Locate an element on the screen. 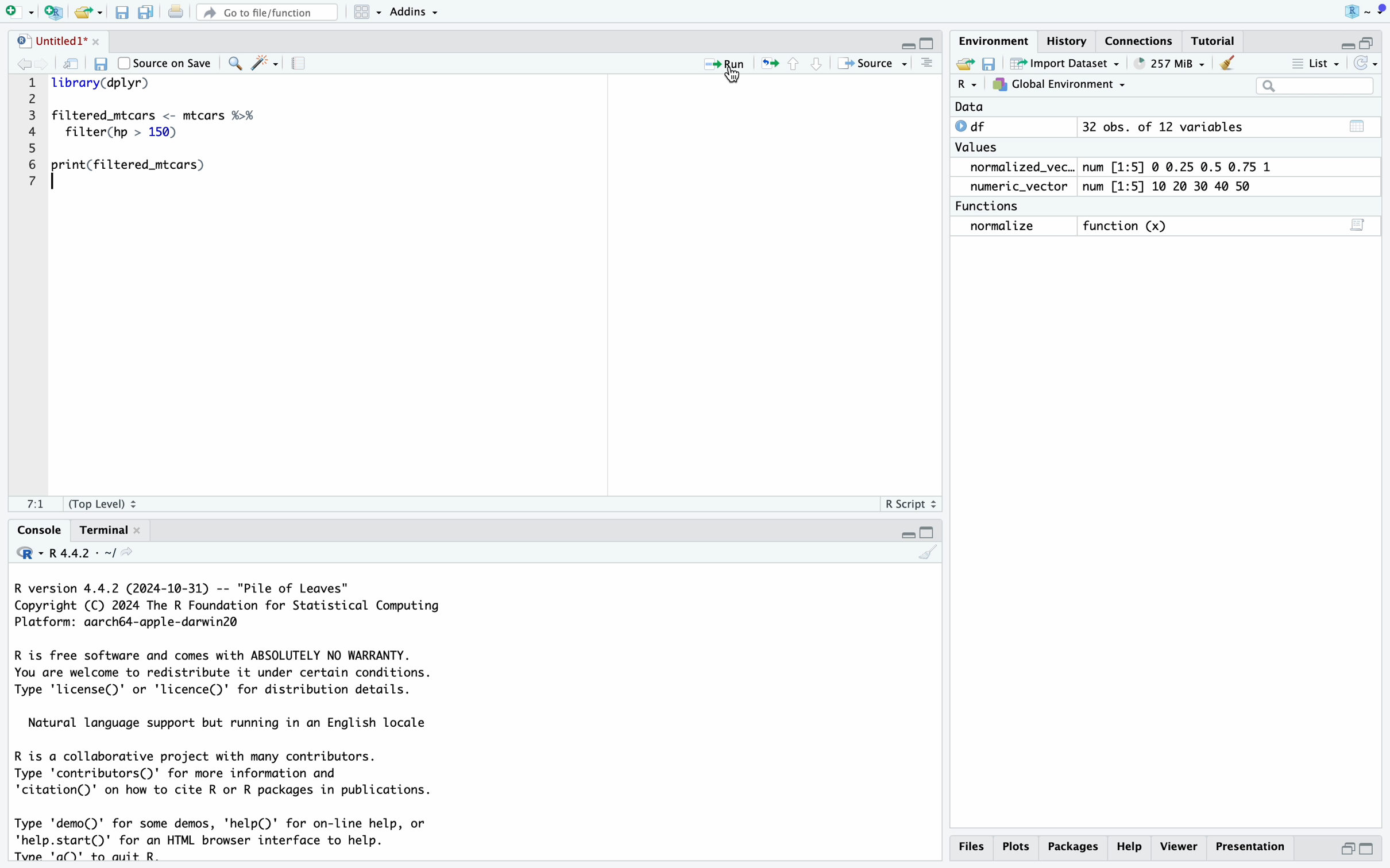  Run current file is located at coordinates (724, 65).